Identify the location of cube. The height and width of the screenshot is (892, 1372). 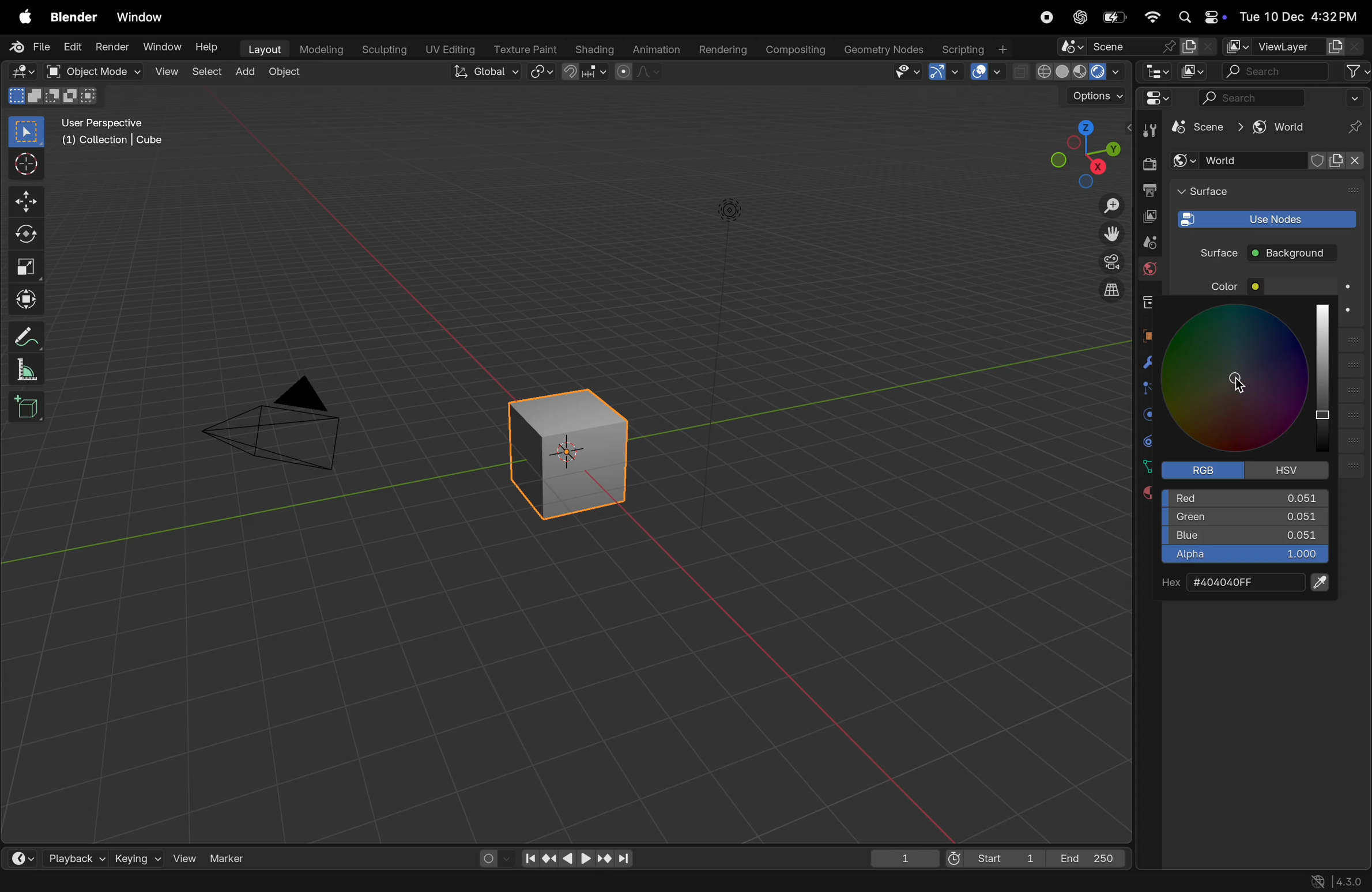
(1195, 128).